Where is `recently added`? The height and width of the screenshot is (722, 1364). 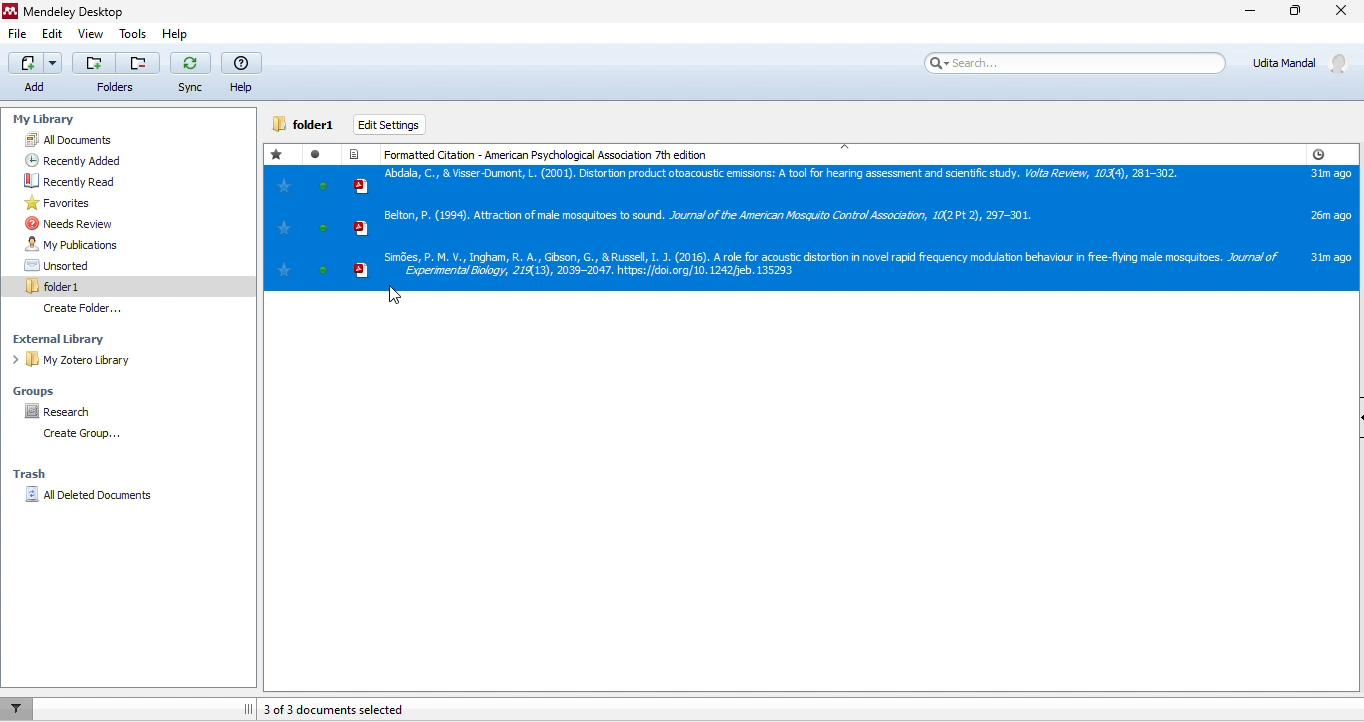 recently added is located at coordinates (66, 160).